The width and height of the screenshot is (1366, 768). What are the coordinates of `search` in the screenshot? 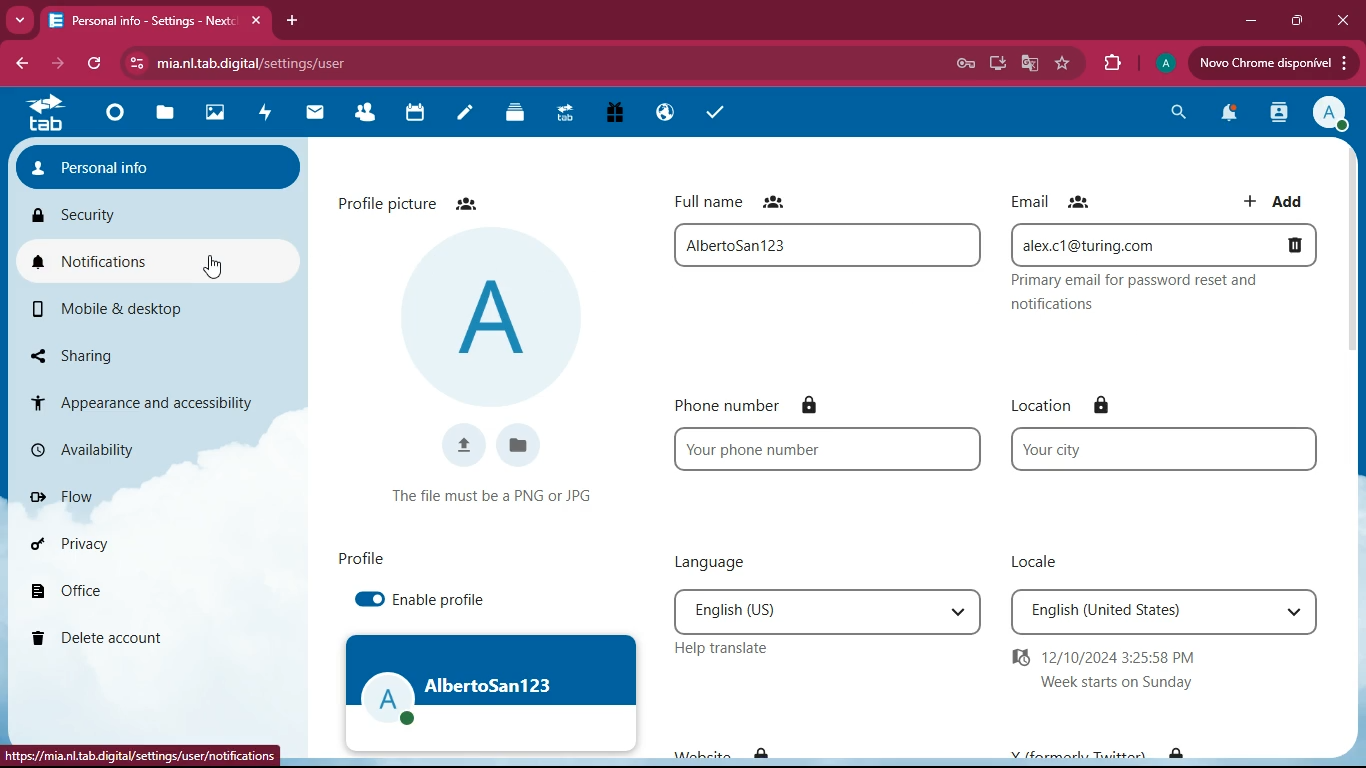 It's located at (1172, 114).